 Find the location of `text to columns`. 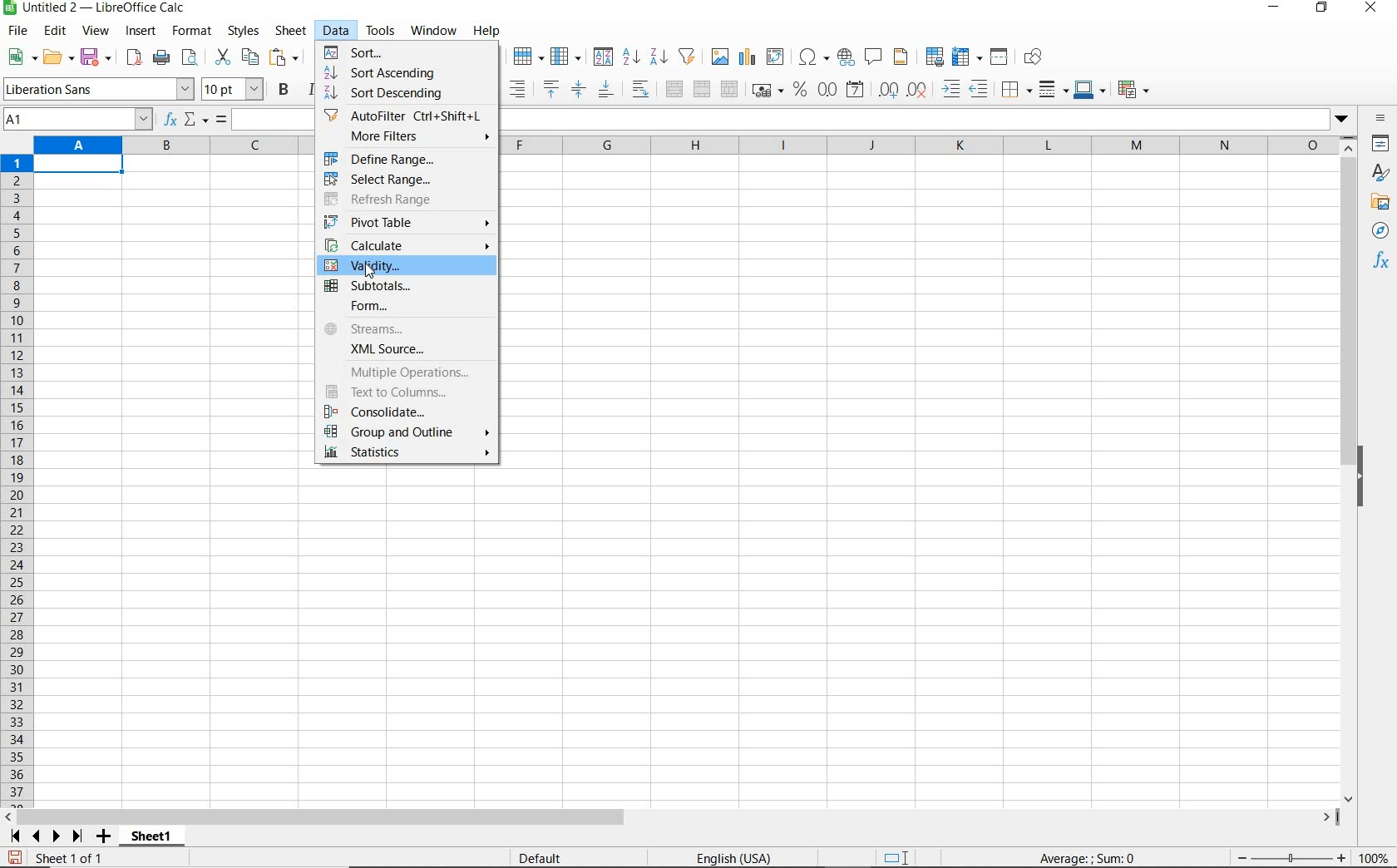

text to columns is located at coordinates (402, 393).